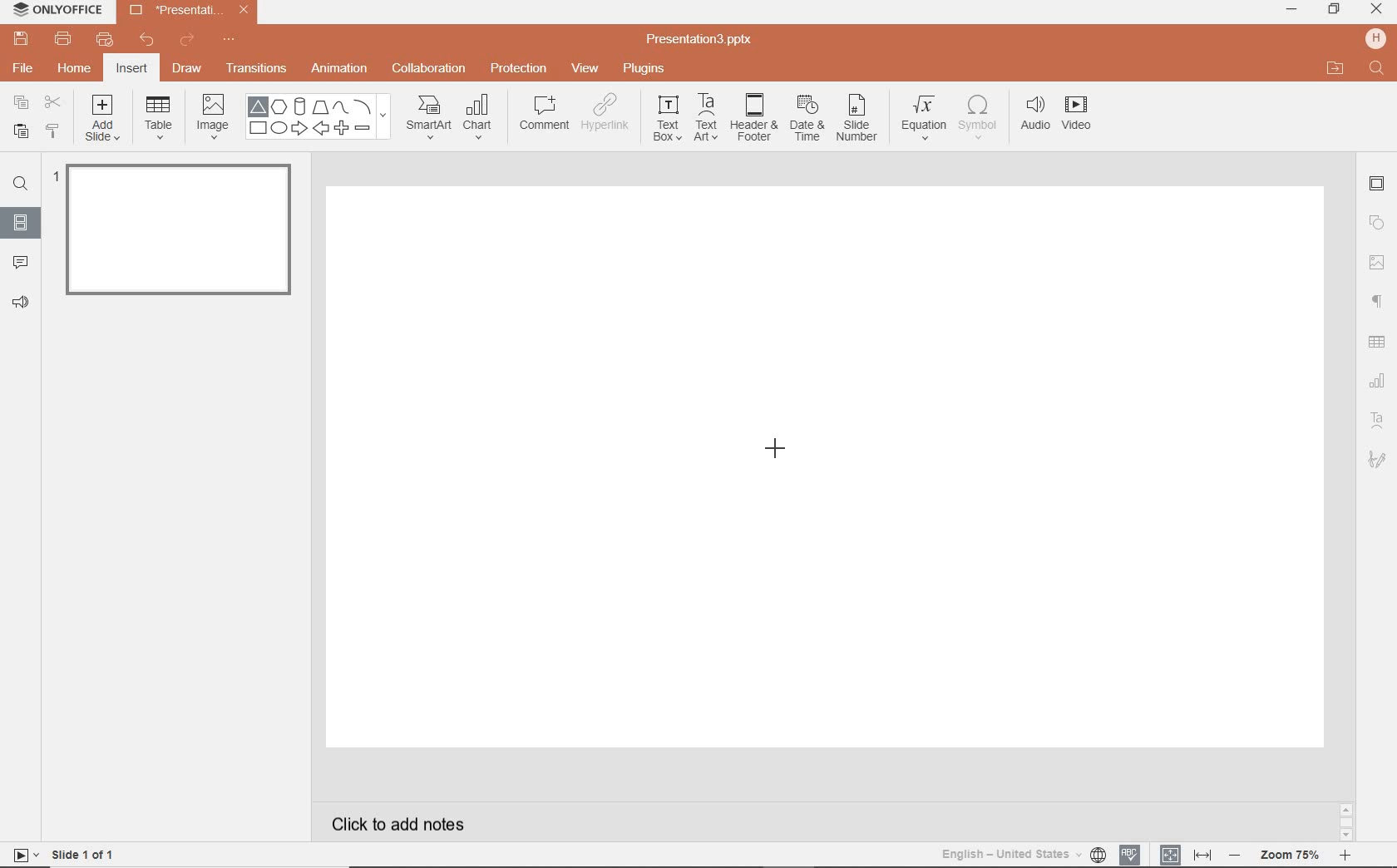  What do you see at coordinates (1376, 10) in the screenshot?
I see `CLOSE` at bounding box center [1376, 10].